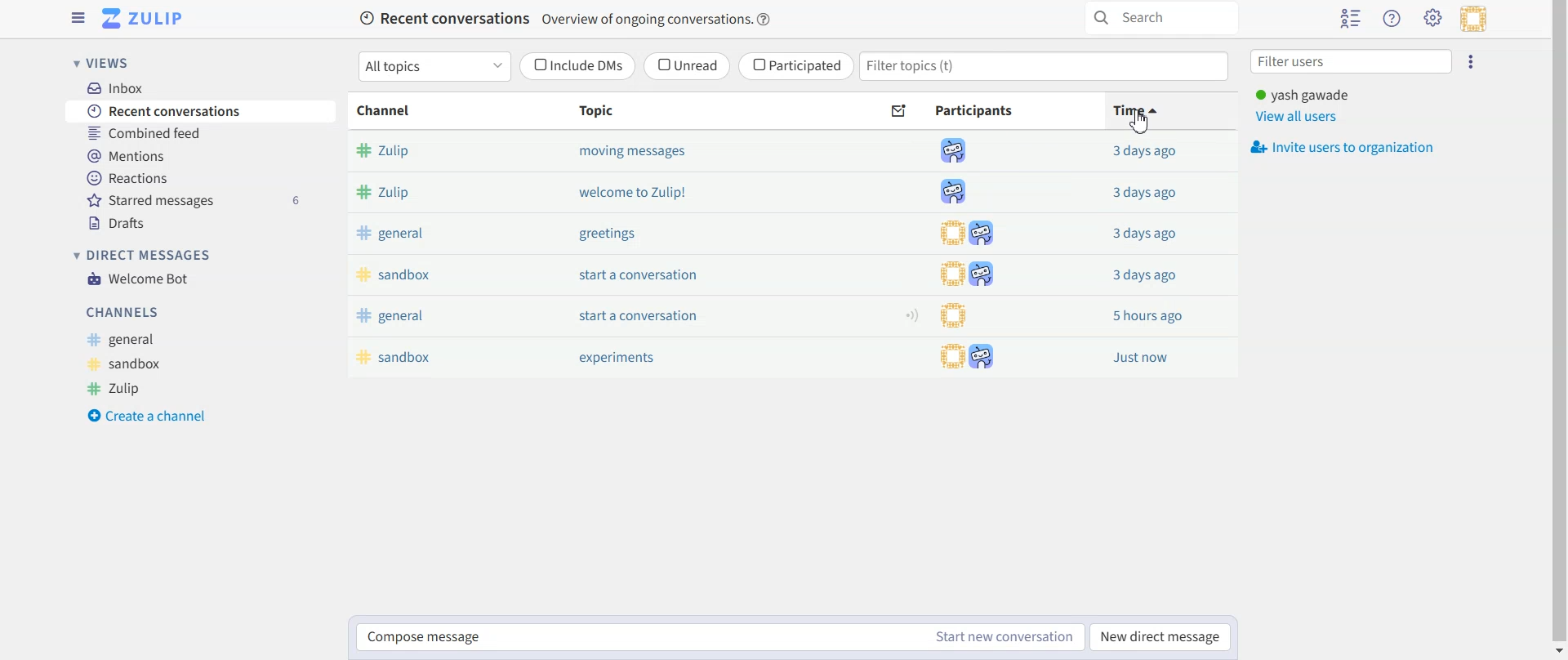 This screenshot has width=1568, height=660. What do you see at coordinates (1472, 60) in the screenshot?
I see `Ellipsis` at bounding box center [1472, 60].